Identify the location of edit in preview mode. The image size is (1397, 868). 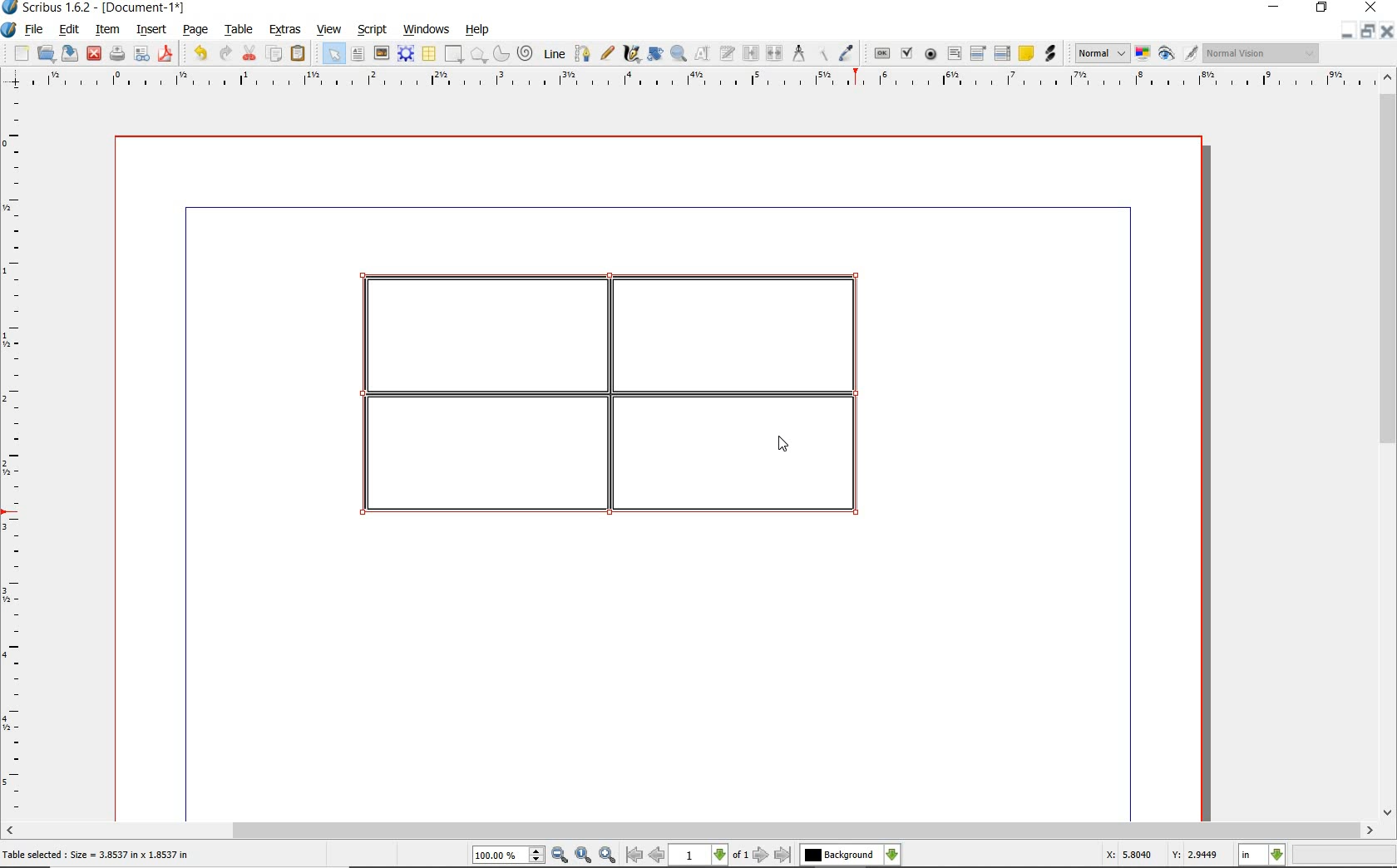
(1190, 54).